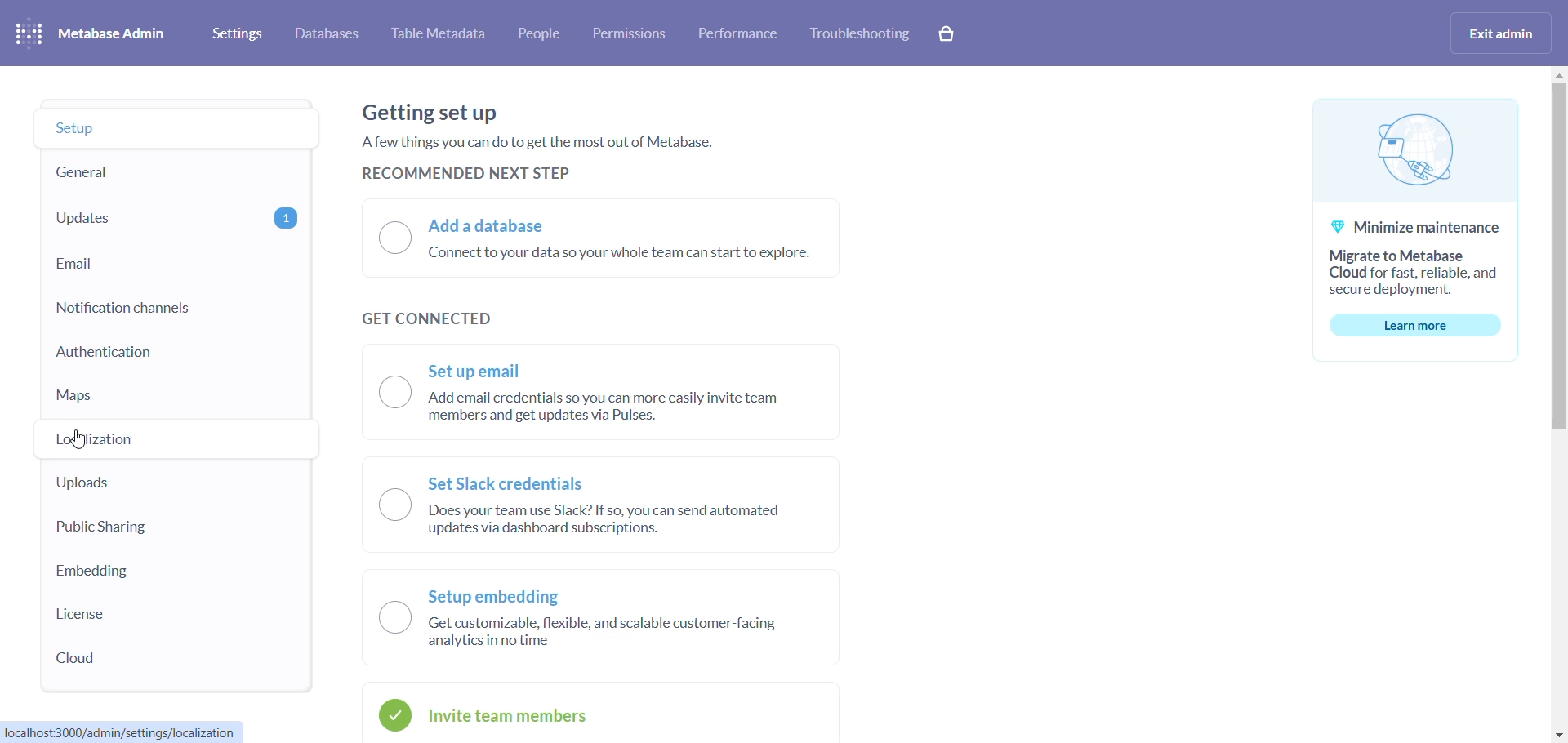  What do you see at coordinates (590, 619) in the screenshot?
I see `Setup embedding
J Getcustomizable, flexible, and scalable customer-facing
analytics inno time` at bounding box center [590, 619].